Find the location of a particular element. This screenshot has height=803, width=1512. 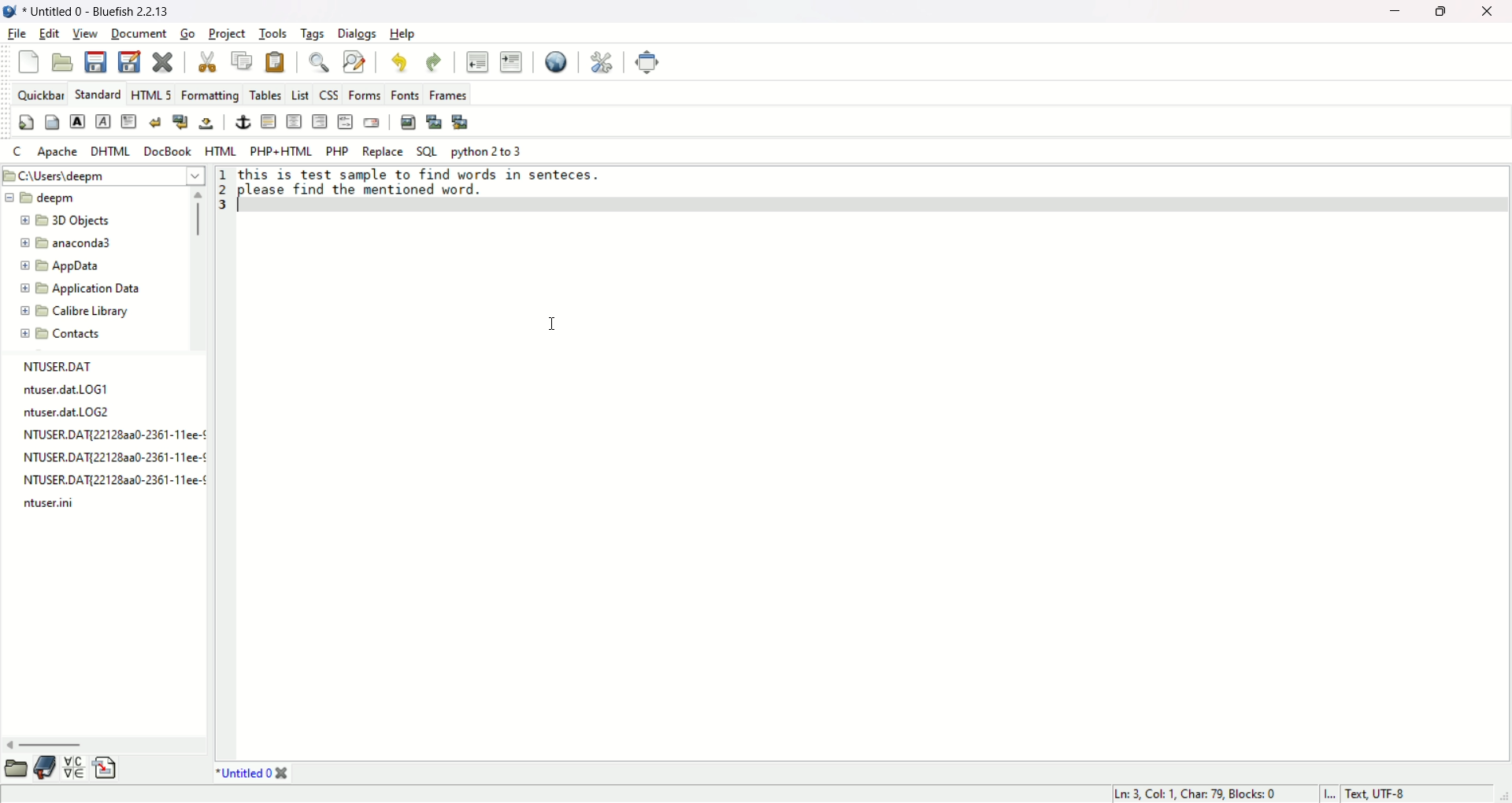

body is located at coordinates (53, 123).